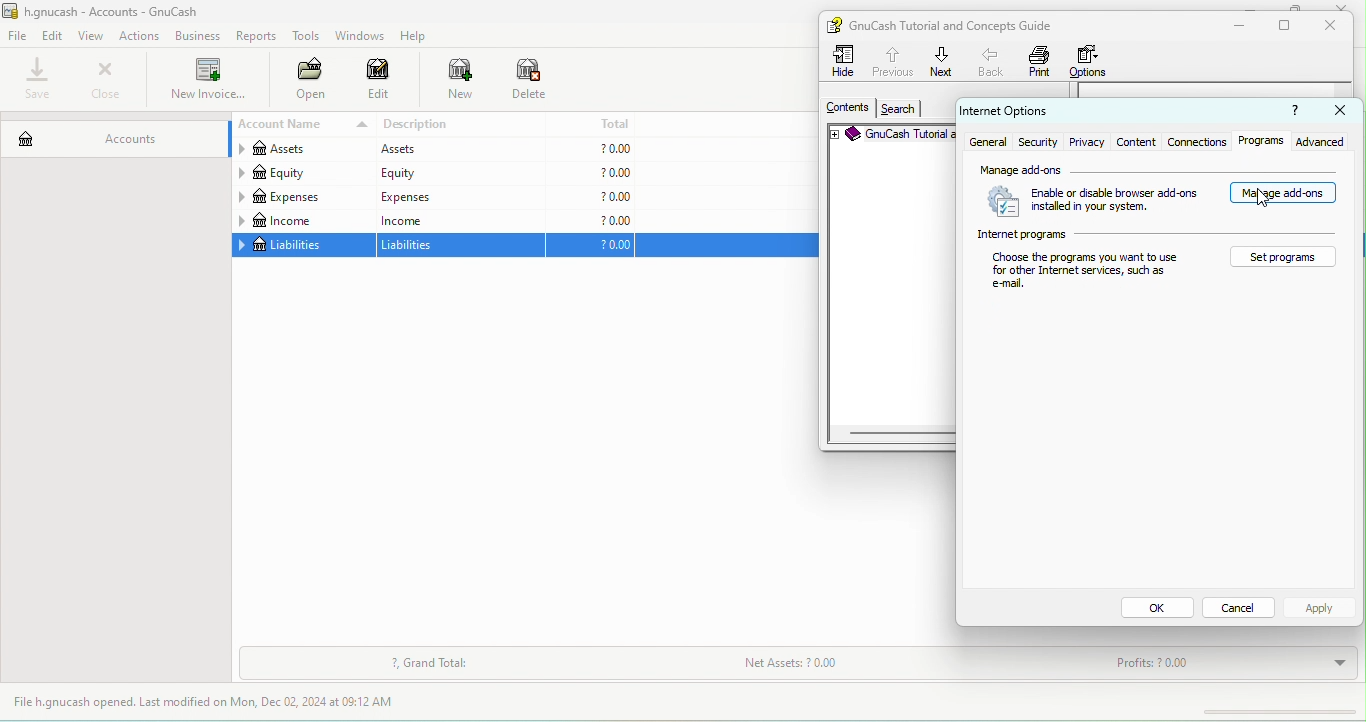  I want to click on save, so click(39, 80).